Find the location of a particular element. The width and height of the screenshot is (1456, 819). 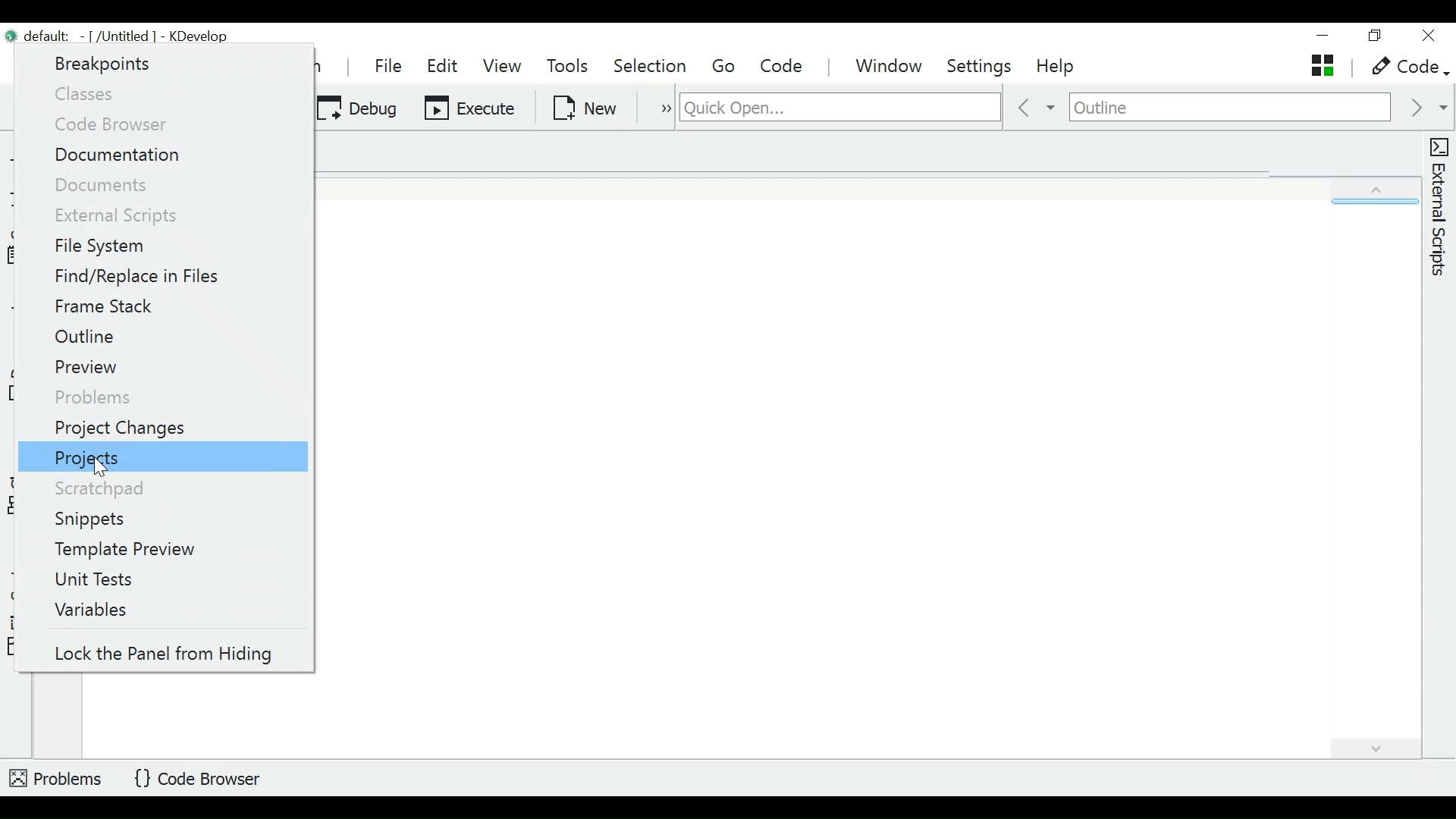

code is located at coordinates (1405, 69).